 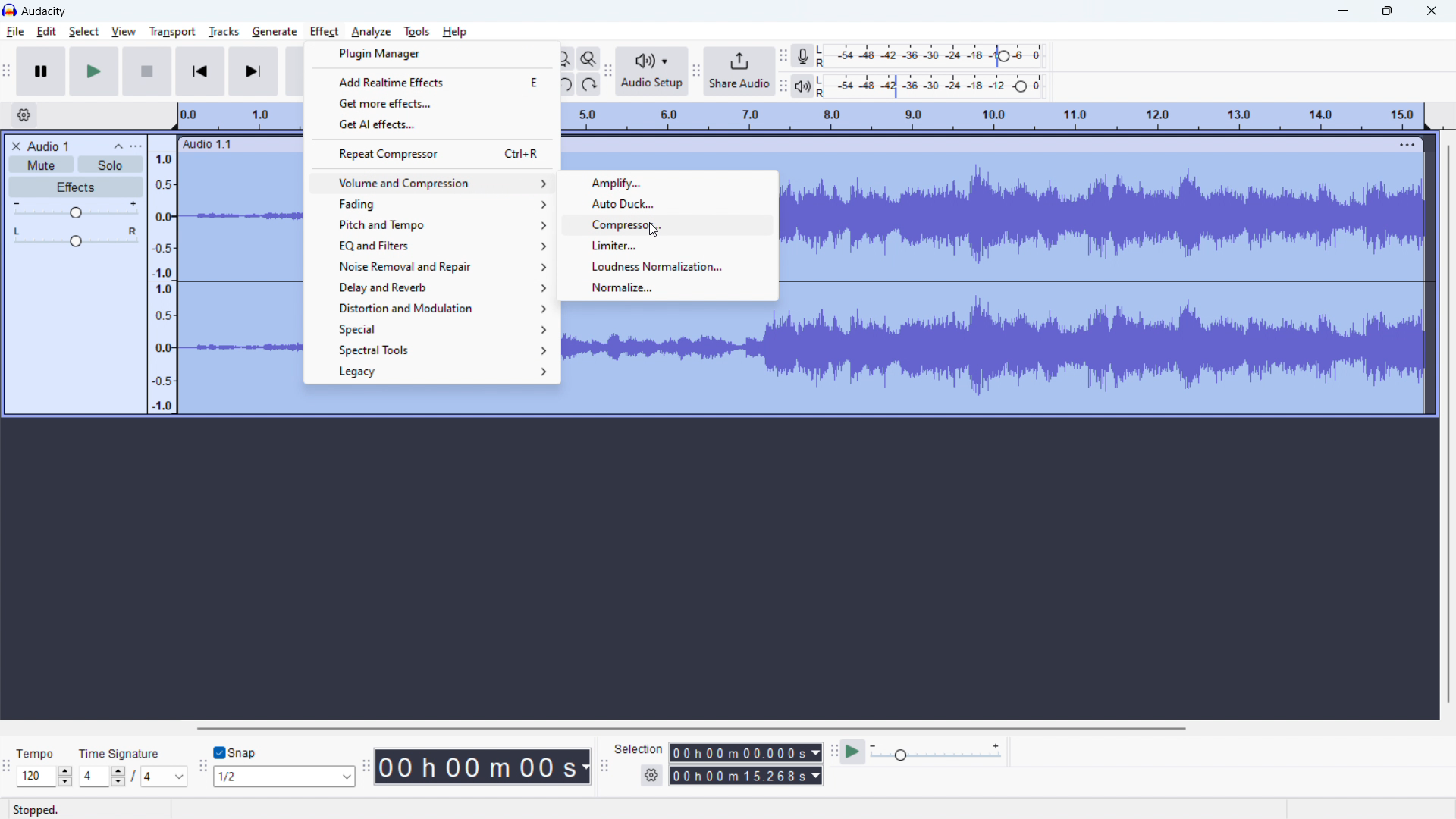 I want to click on plugin manager, so click(x=433, y=53).